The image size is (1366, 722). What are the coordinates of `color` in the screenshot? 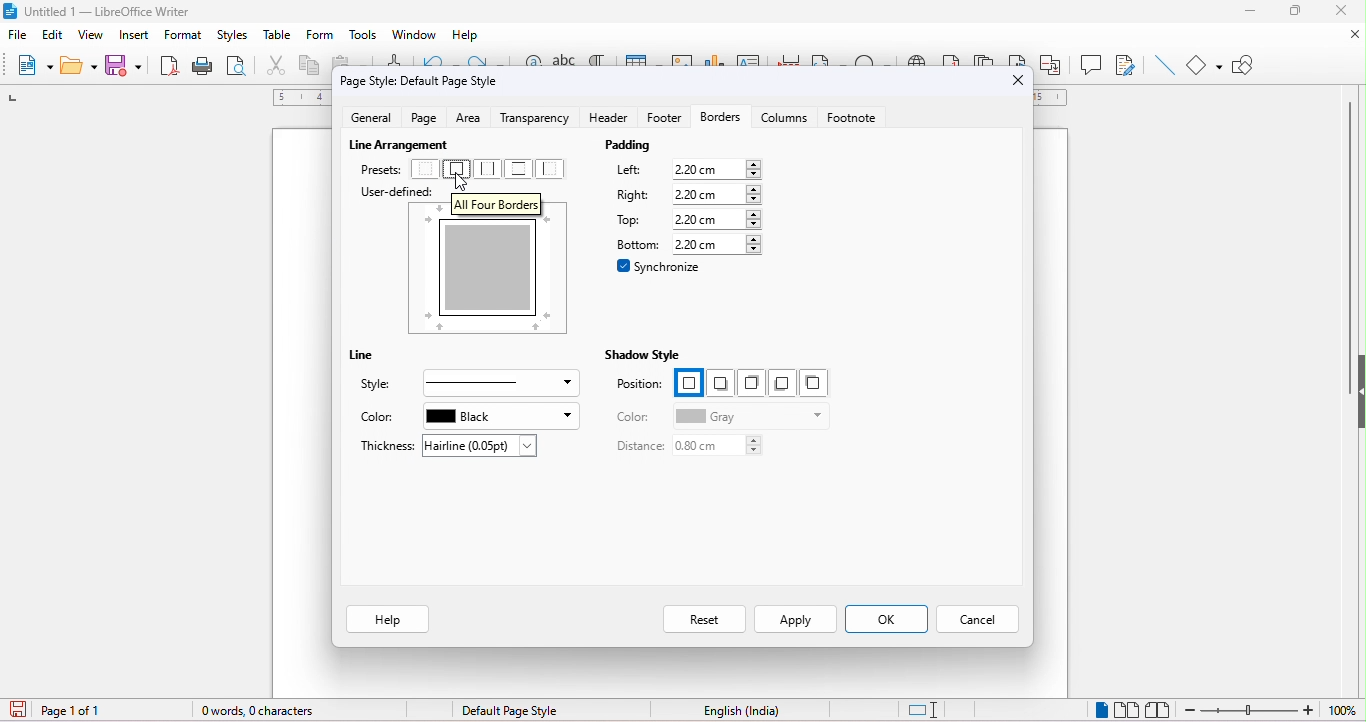 It's located at (635, 417).